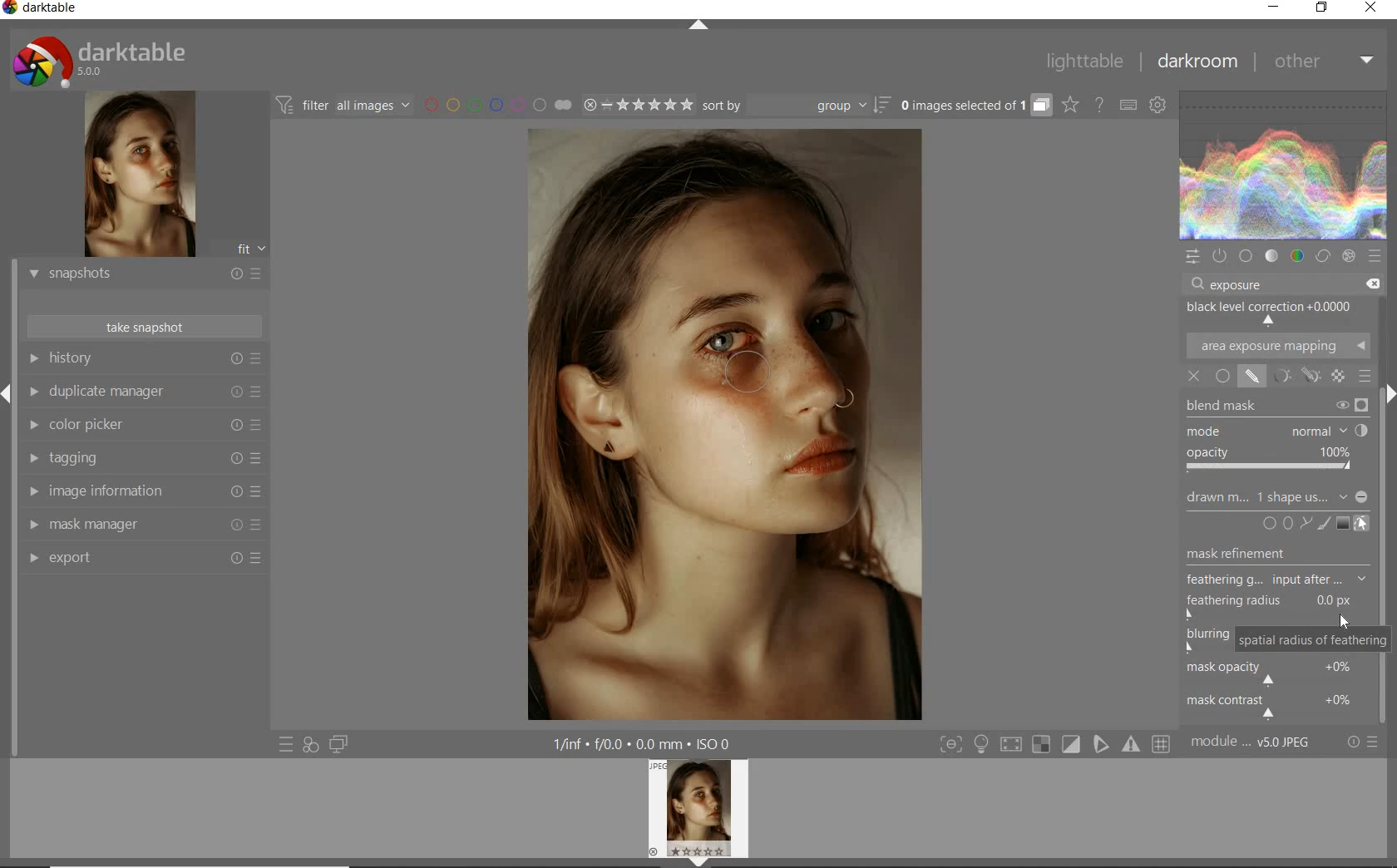 This screenshot has height=868, width=1397. I want to click on MASK REFINEMENT, so click(1254, 555).